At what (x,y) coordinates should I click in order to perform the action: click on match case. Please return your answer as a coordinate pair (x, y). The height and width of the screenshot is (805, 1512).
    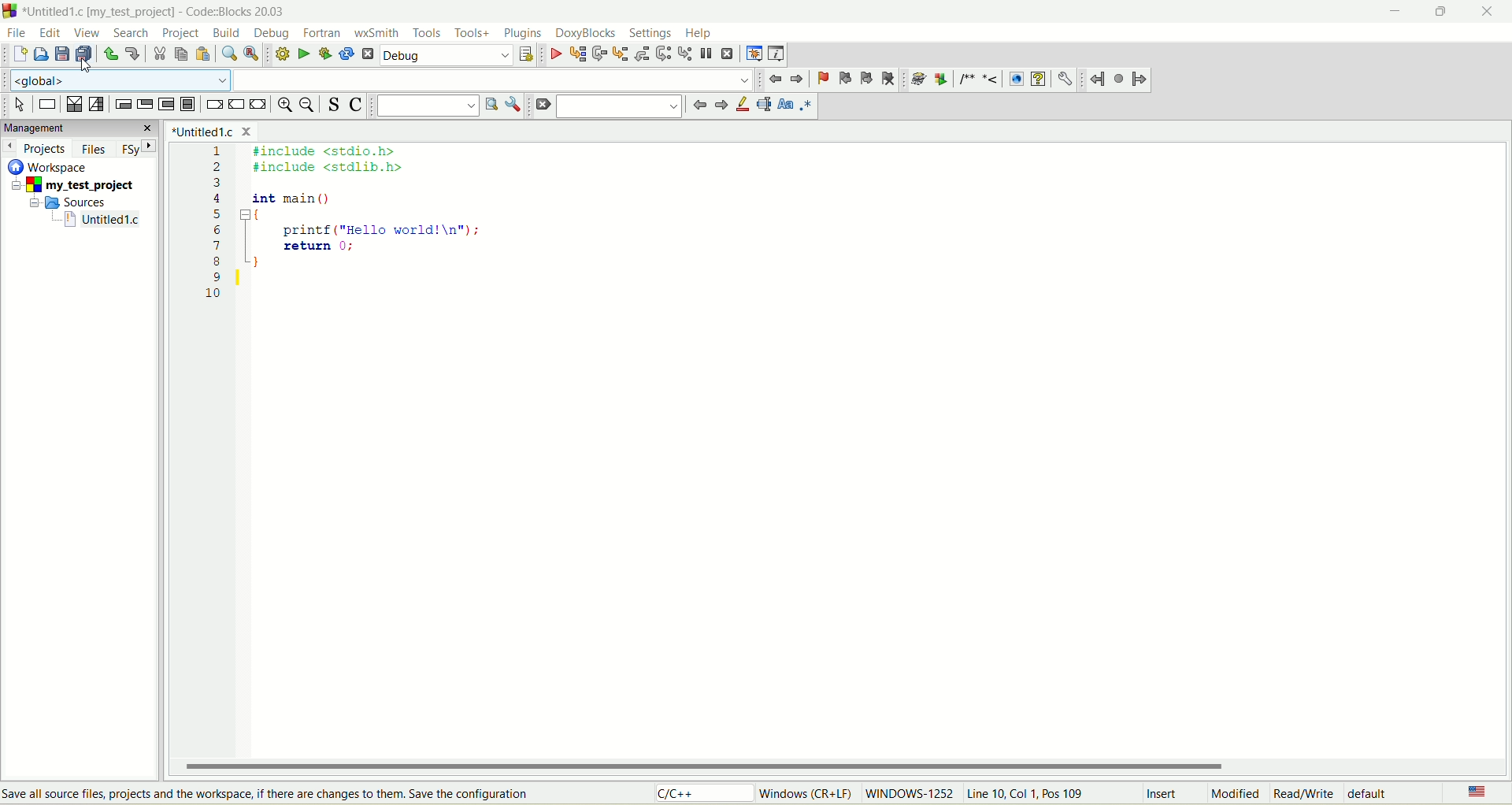
    Looking at the image, I should click on (784, 107).